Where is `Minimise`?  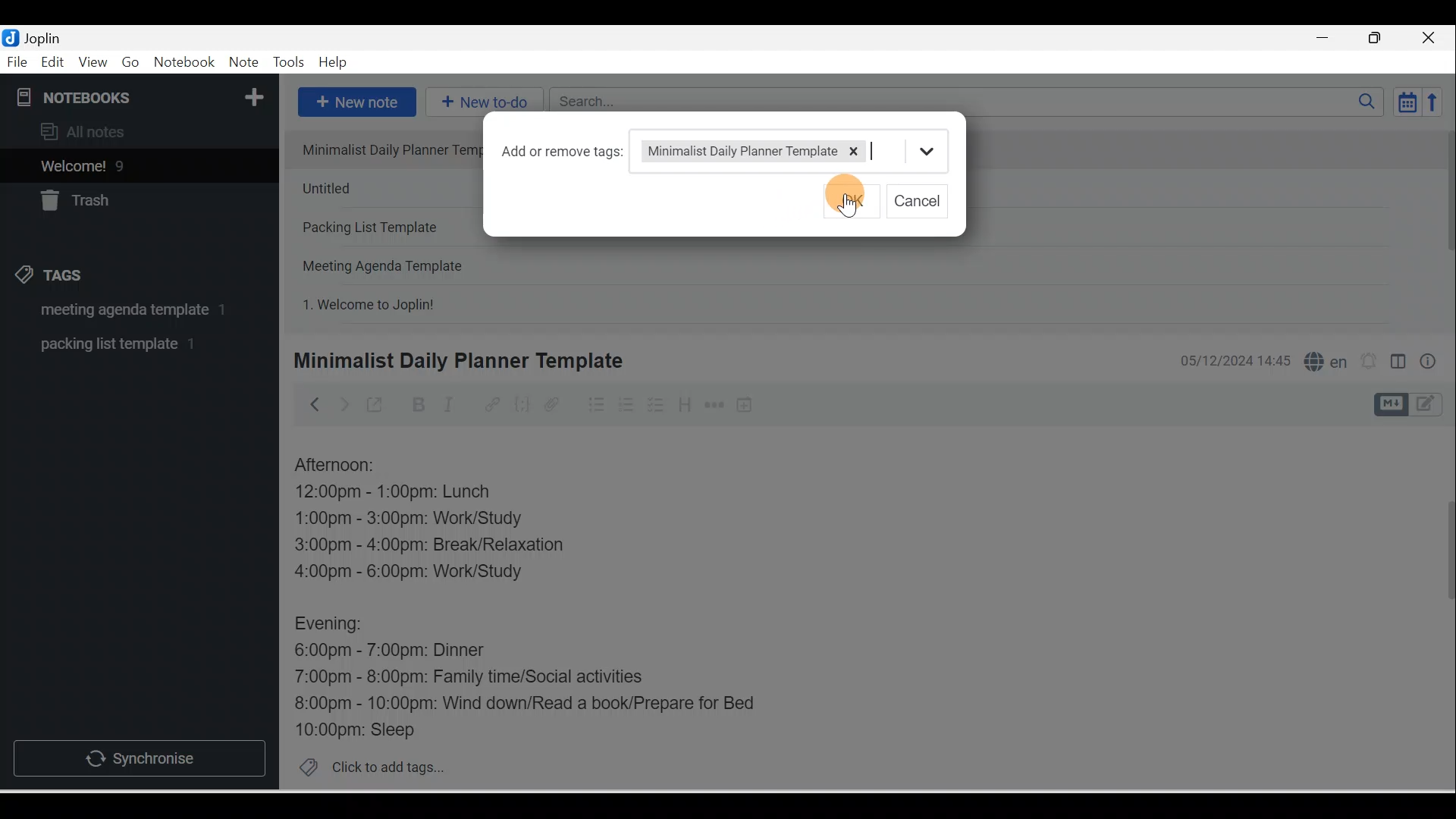 Minimise is located at coordinates (1327, 39).